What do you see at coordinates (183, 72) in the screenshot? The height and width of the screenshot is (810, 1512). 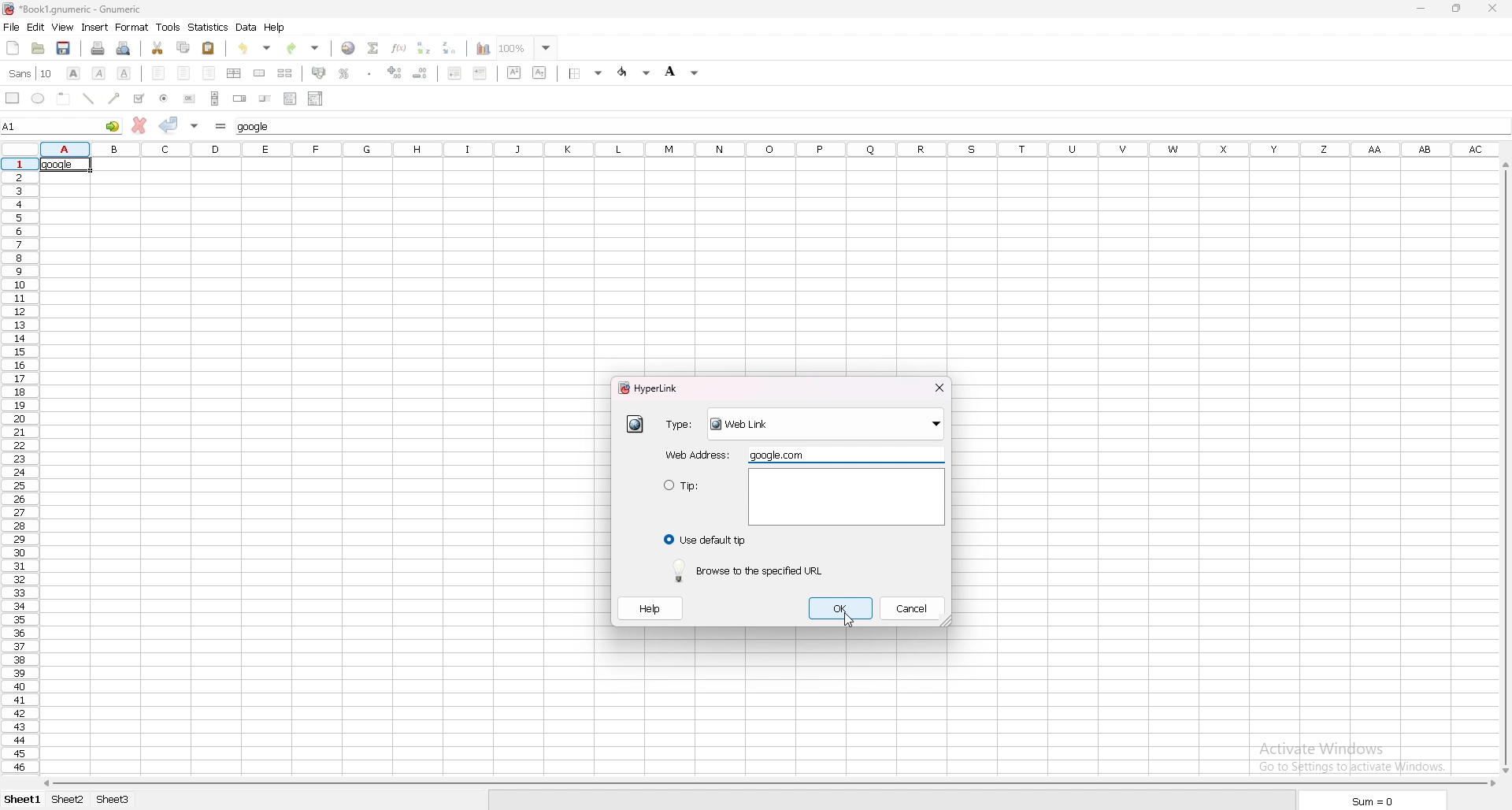 I see `centre` at bounding box center [183, 72].